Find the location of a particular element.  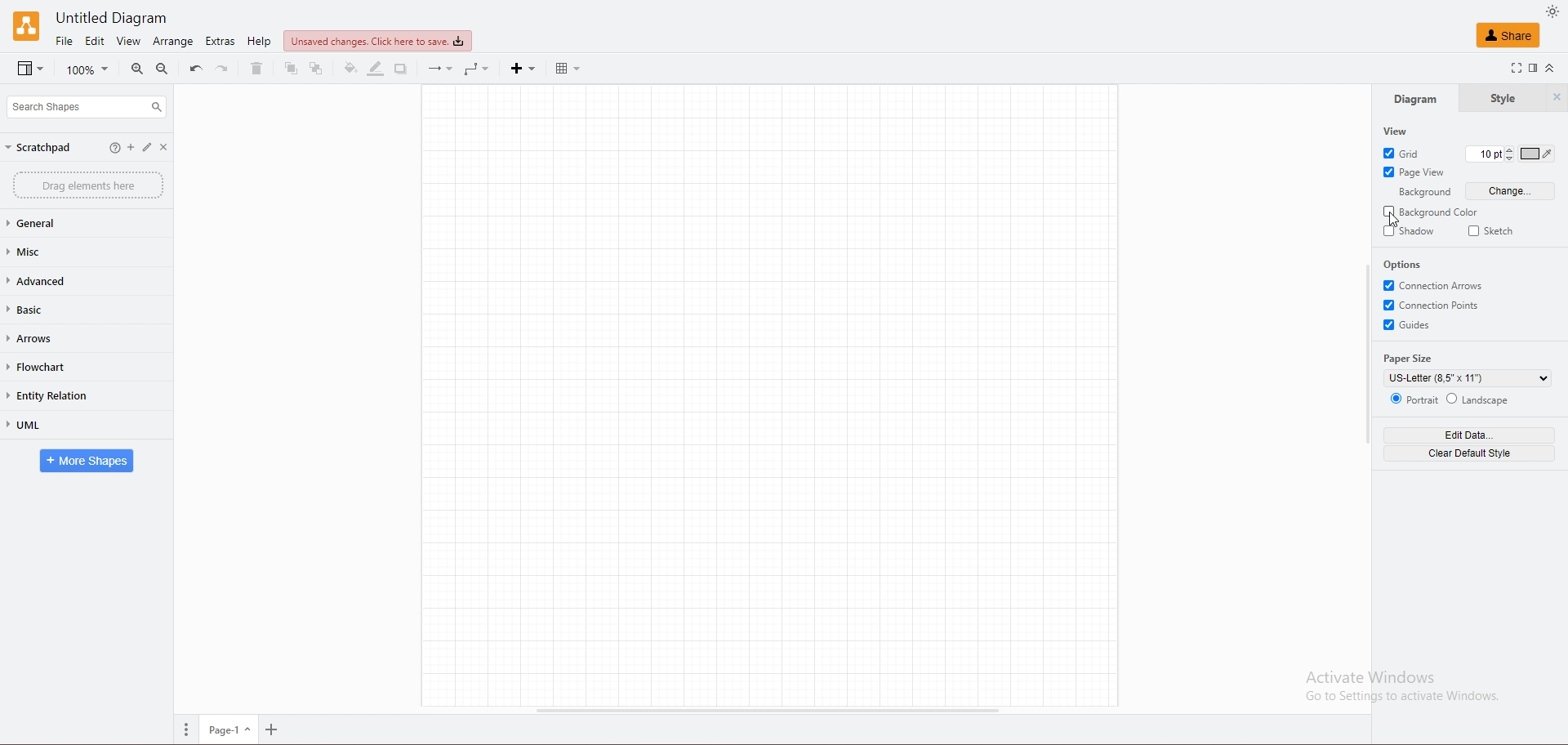

grid value is located at coordinates (1484, 154).